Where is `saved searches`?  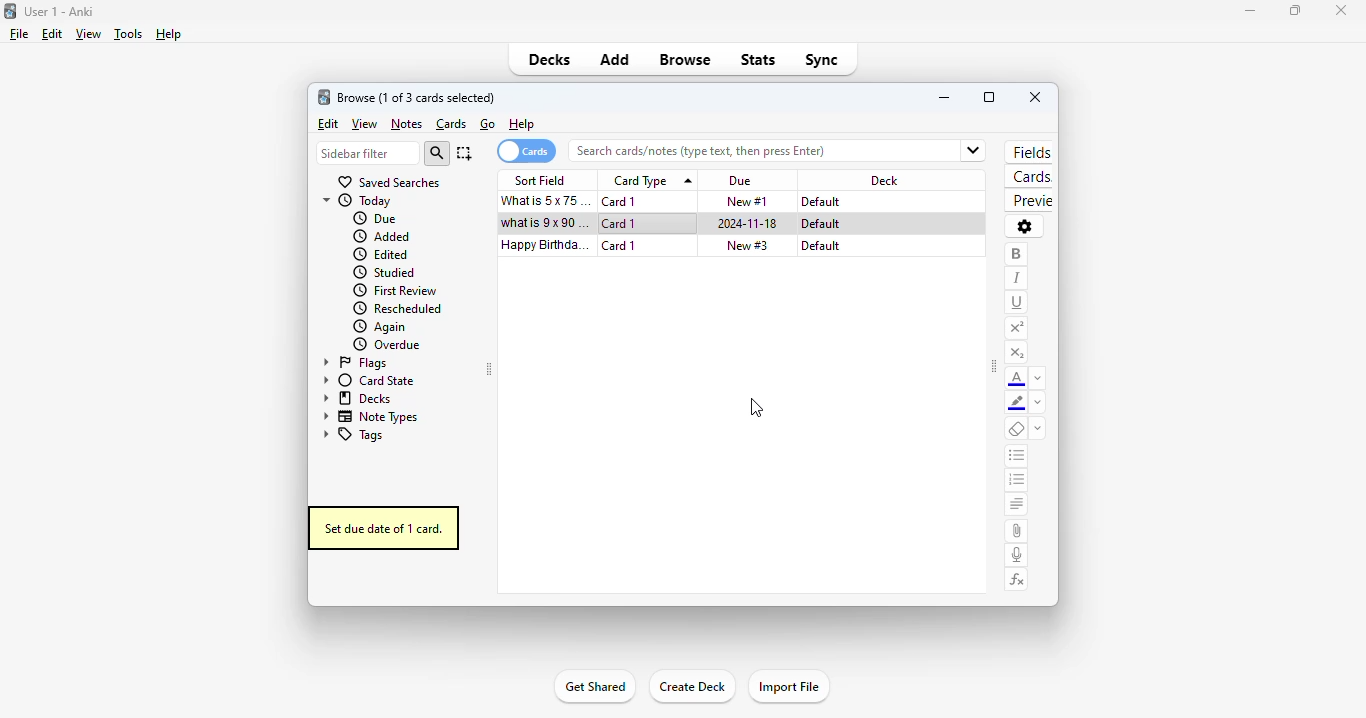 saved searches is located at coordinates (390, 183).